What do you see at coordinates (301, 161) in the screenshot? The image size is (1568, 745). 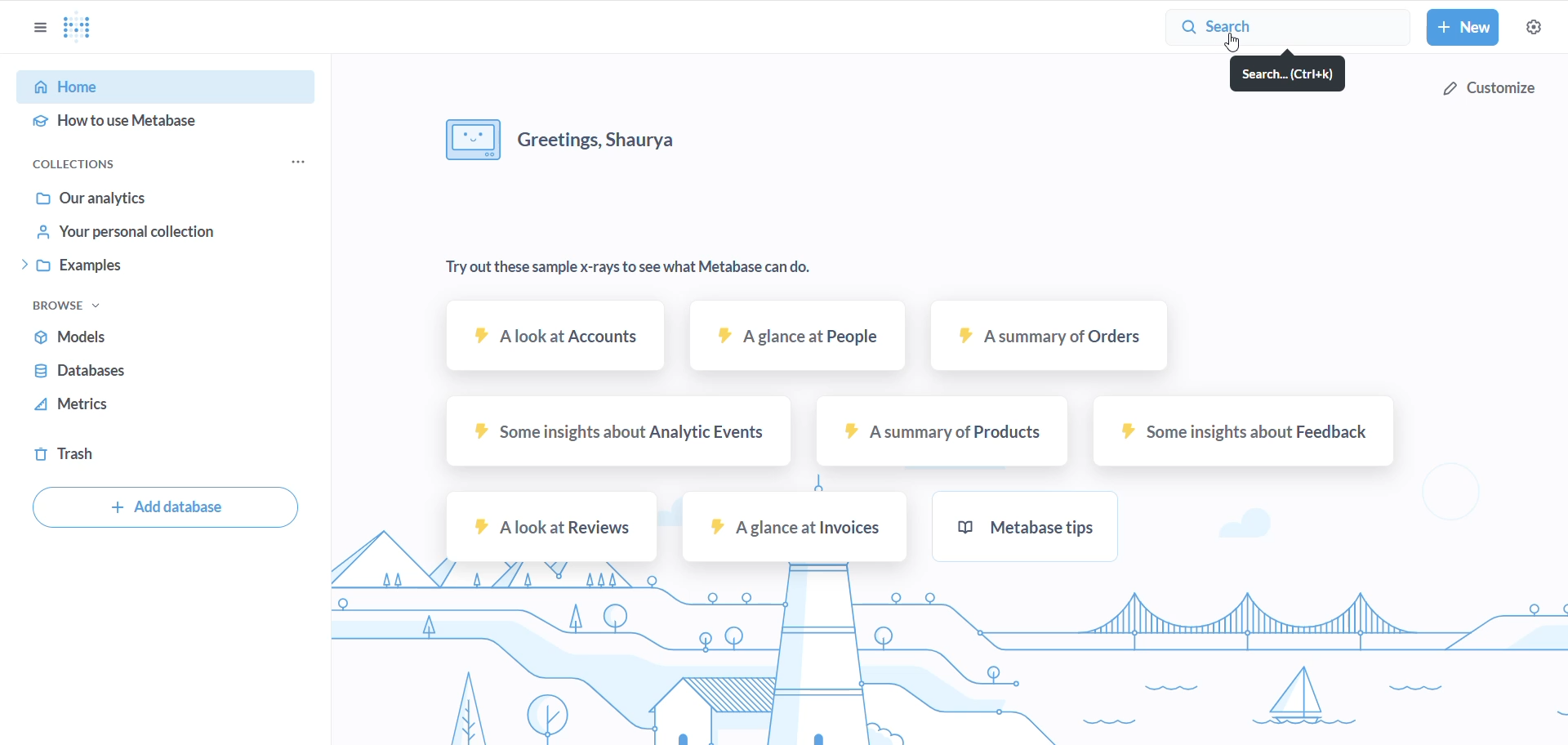 I see `COLLECTION OPTIONS` at bounding box center [301, 161].